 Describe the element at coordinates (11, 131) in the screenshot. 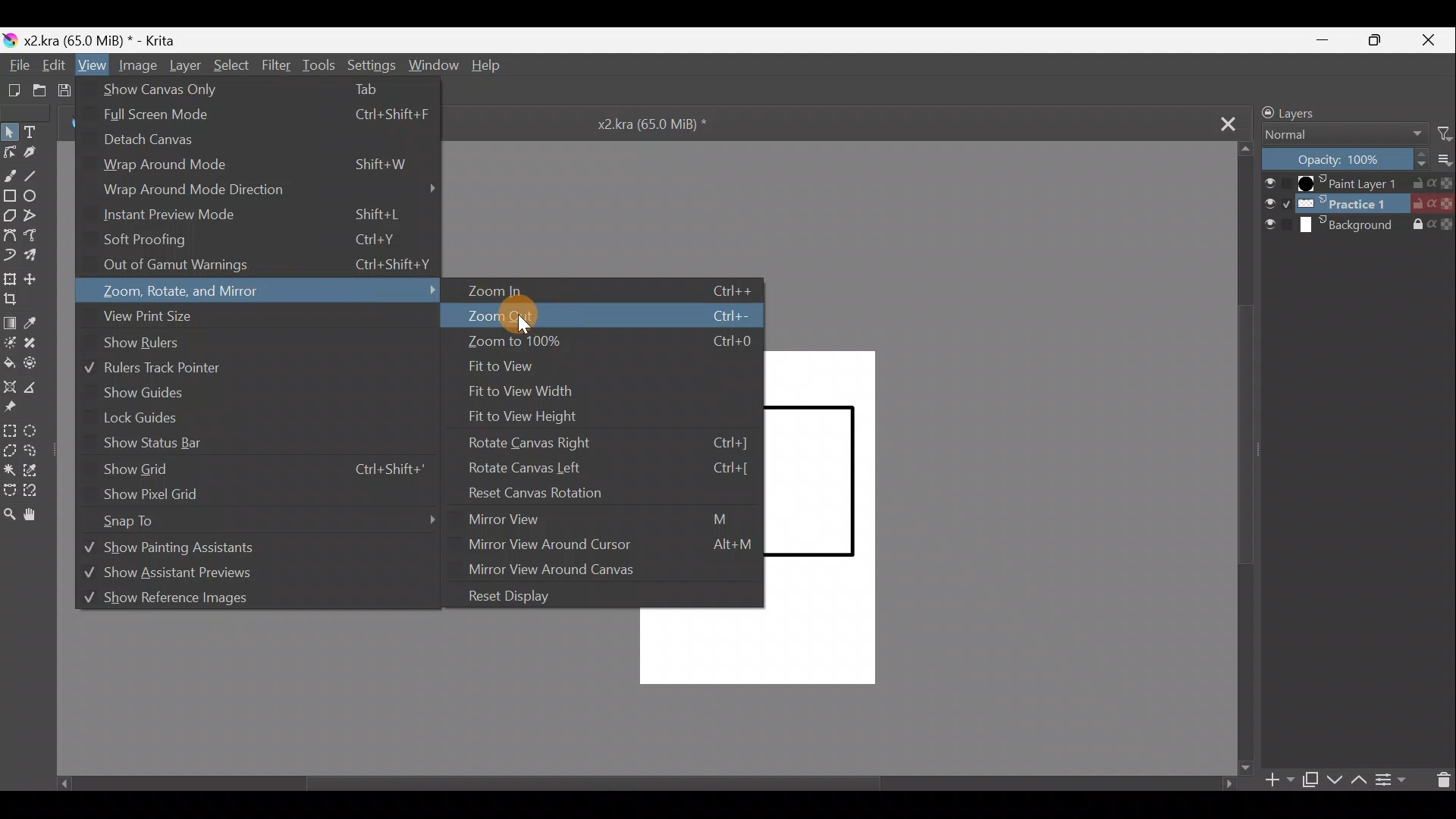

I see `Select shapes tool` at that location.